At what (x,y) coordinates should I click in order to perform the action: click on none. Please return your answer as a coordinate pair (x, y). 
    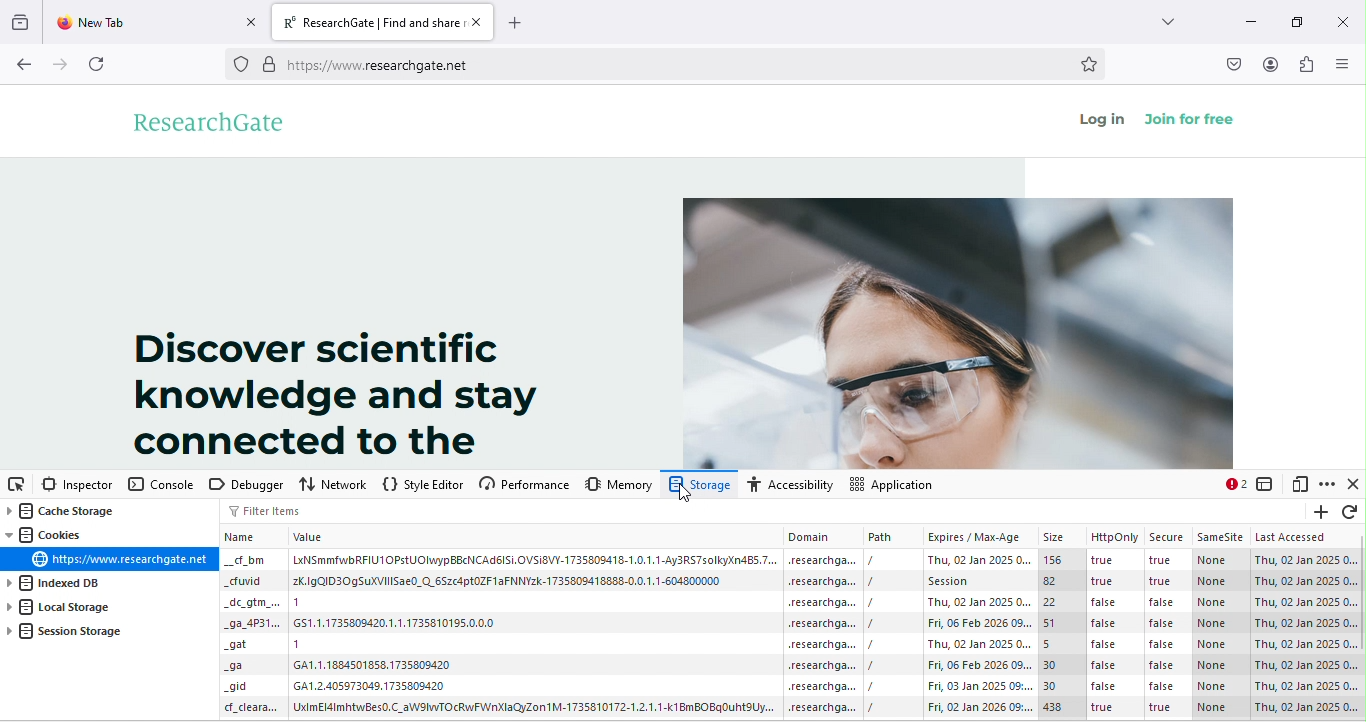
    Looking at the image, I should click on (1212, 560).